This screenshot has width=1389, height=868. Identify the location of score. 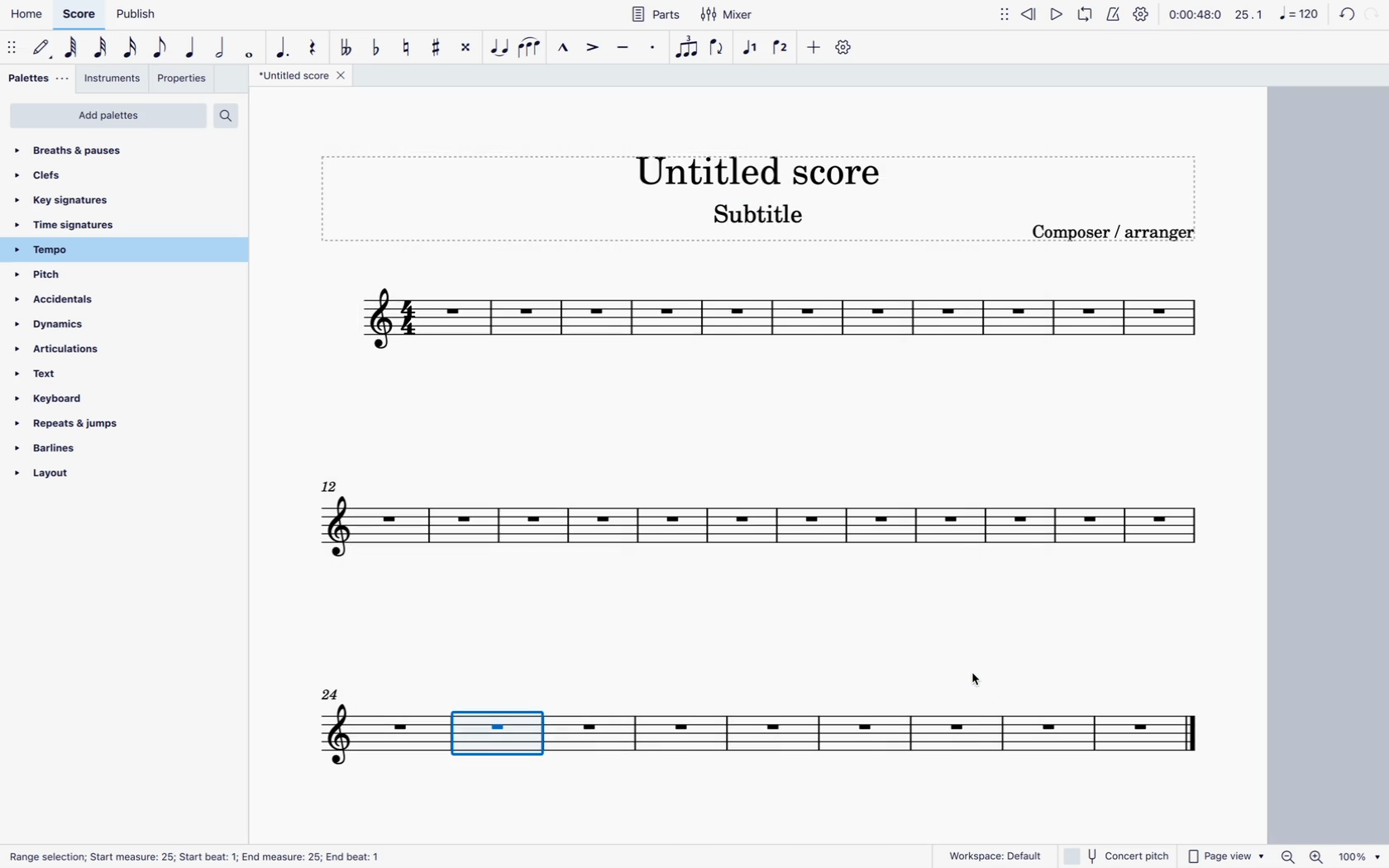
(79, 18).